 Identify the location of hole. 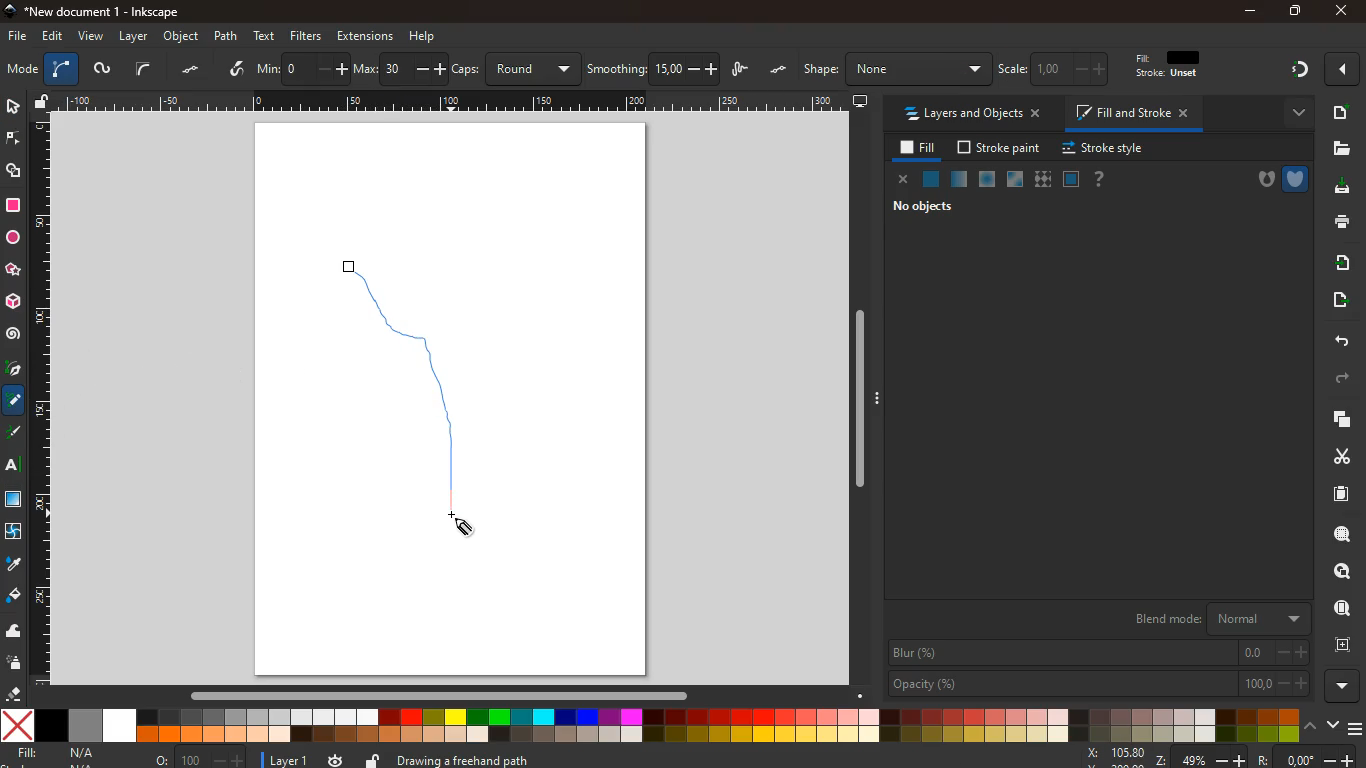
(1262, 181).